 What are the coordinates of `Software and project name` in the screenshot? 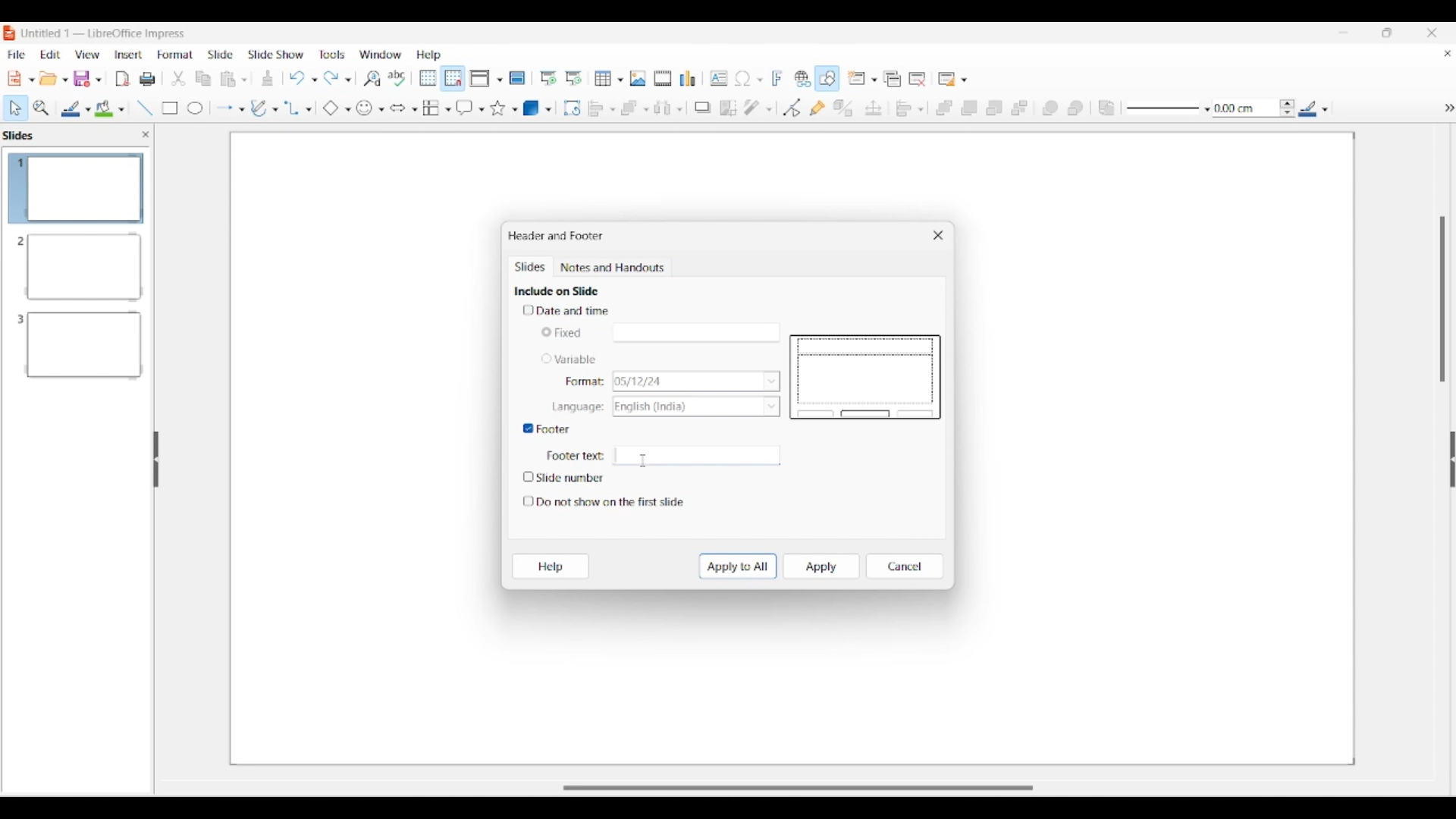 It's located at (105, 34).